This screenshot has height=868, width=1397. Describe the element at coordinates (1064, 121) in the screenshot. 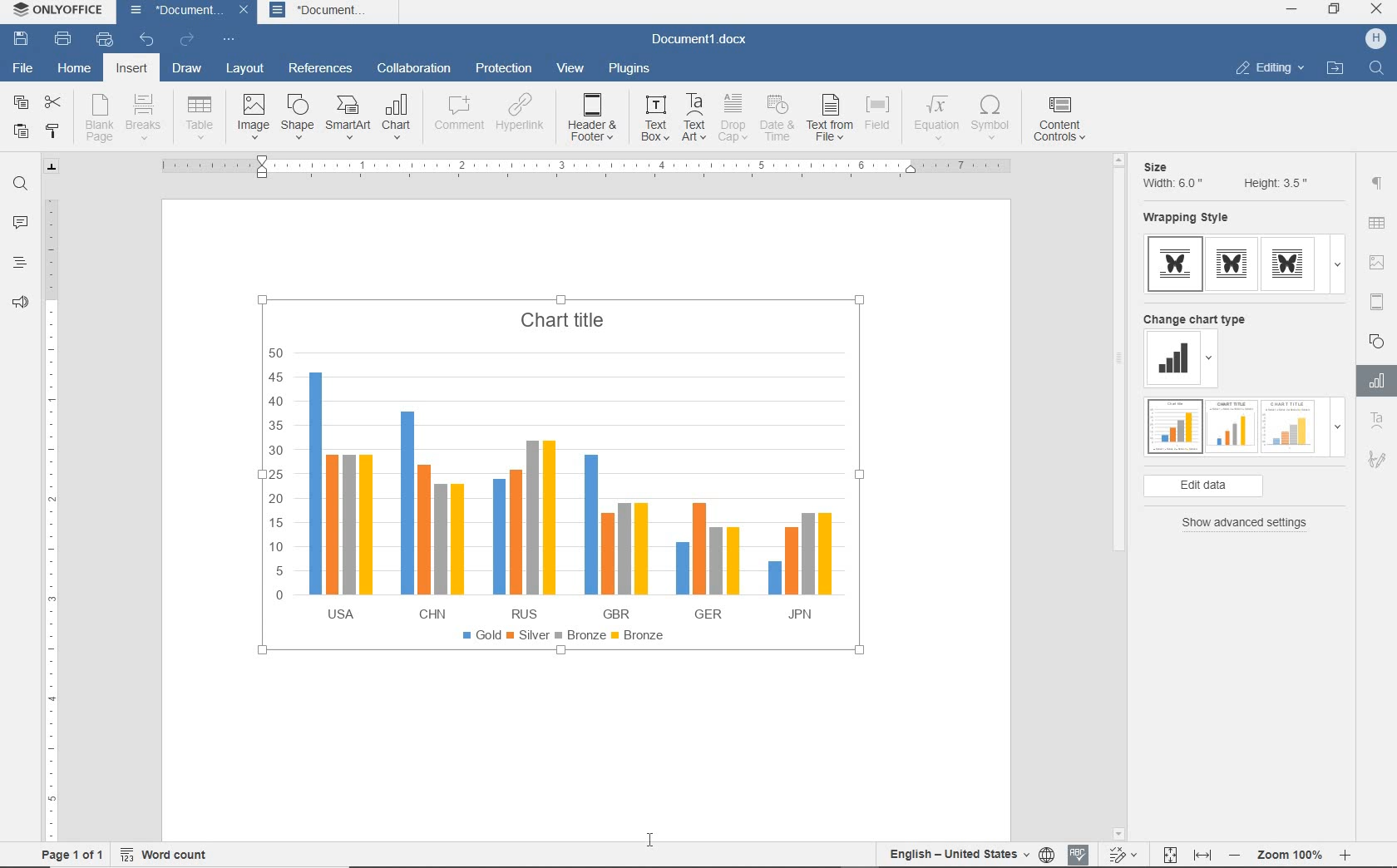

I see `comment controls` at that location.